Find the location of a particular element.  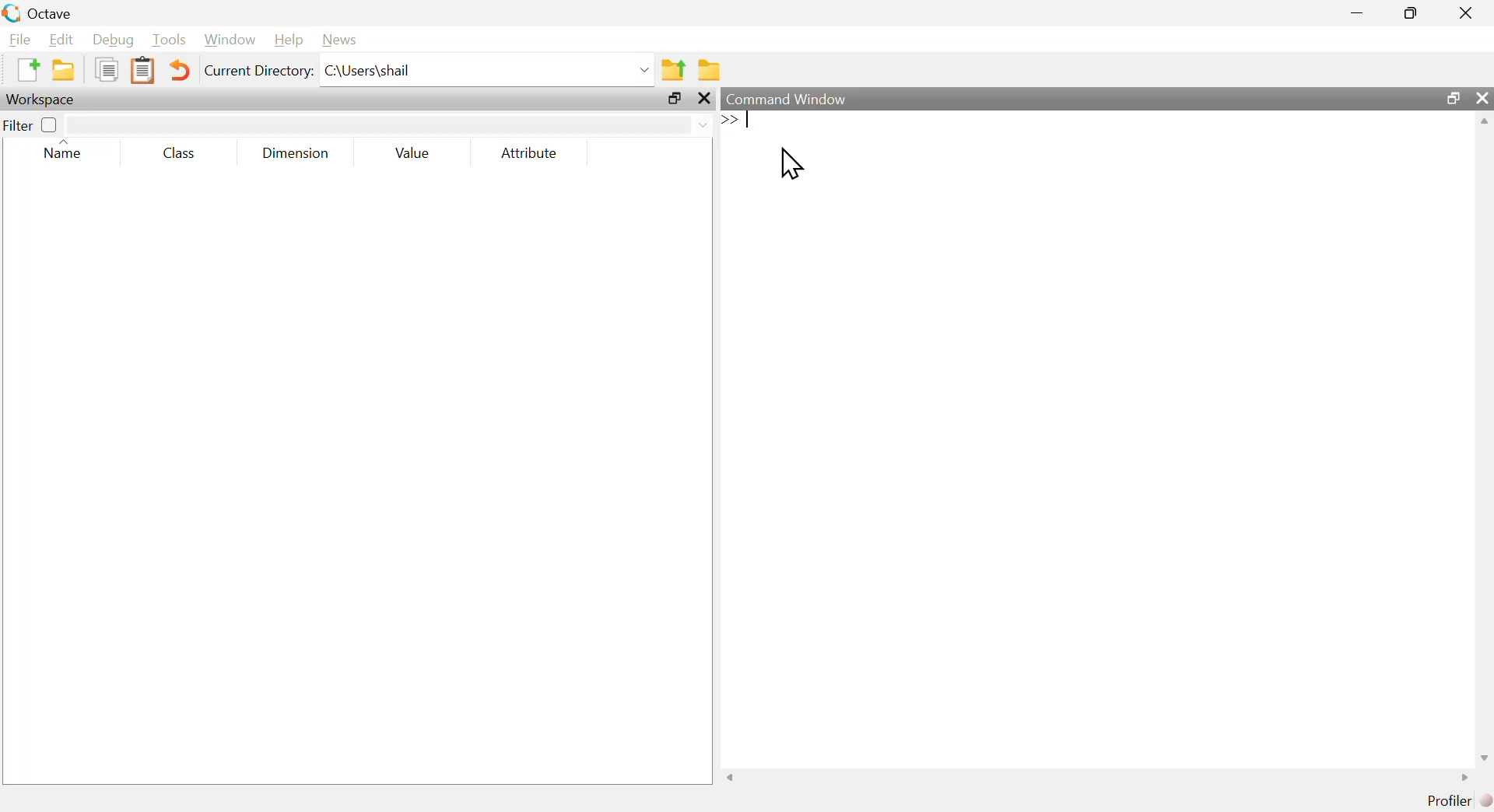

Help is located at coordinates (289, 41).